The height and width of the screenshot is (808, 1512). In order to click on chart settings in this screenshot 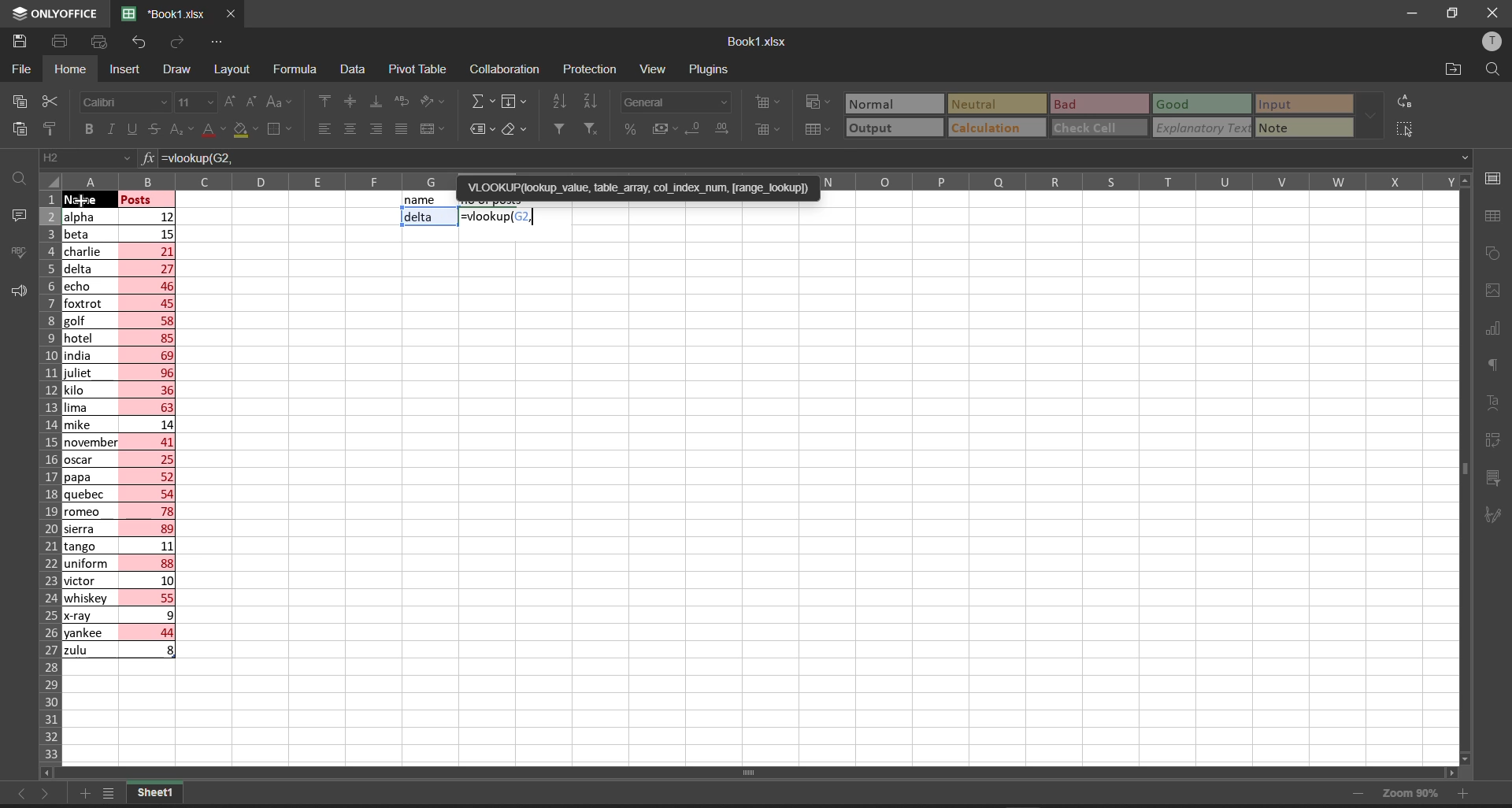, I will do `click(1499, 329)`.